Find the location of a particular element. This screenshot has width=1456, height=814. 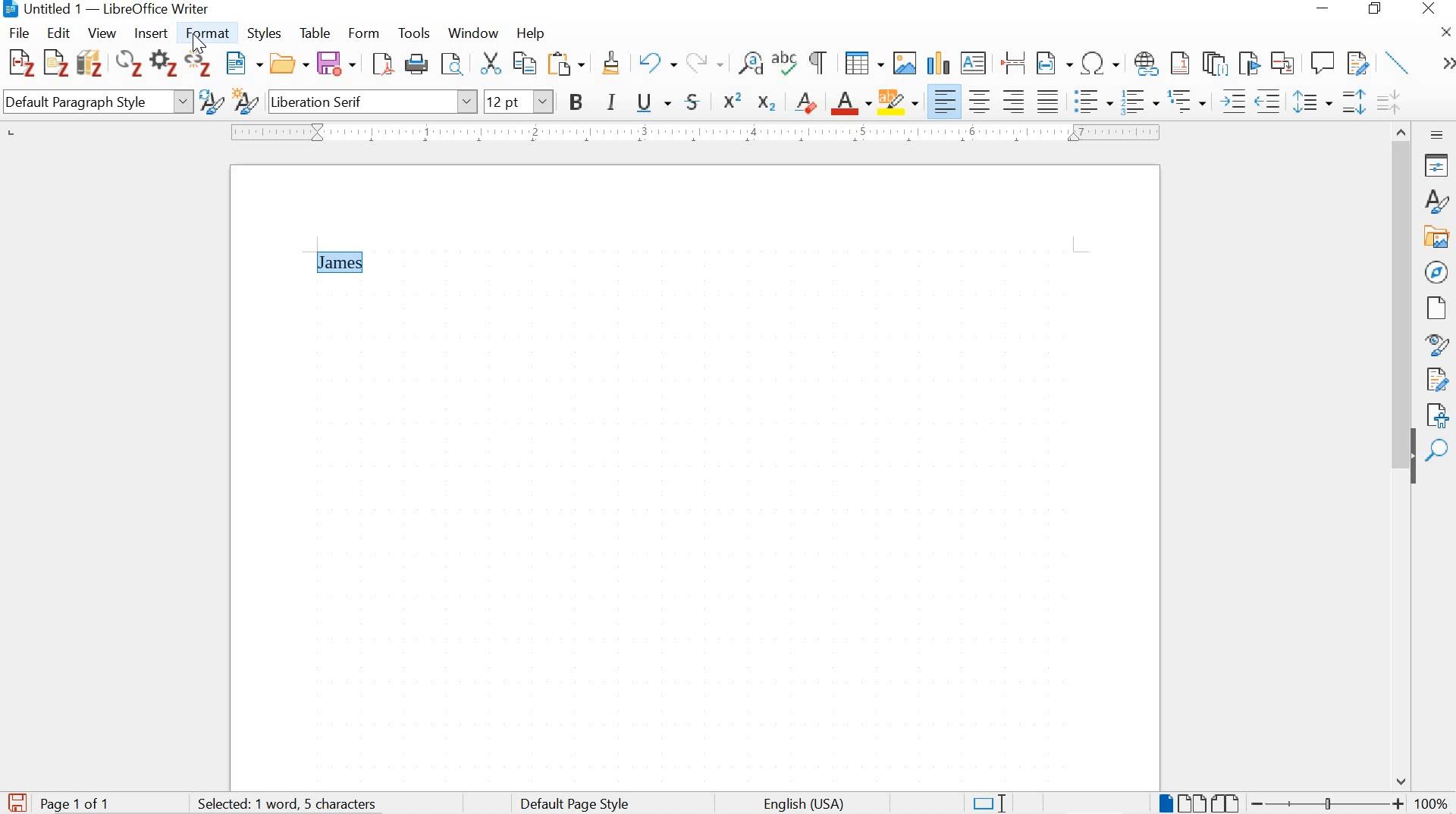

add/edit citation is located at coordinates (21, 64).